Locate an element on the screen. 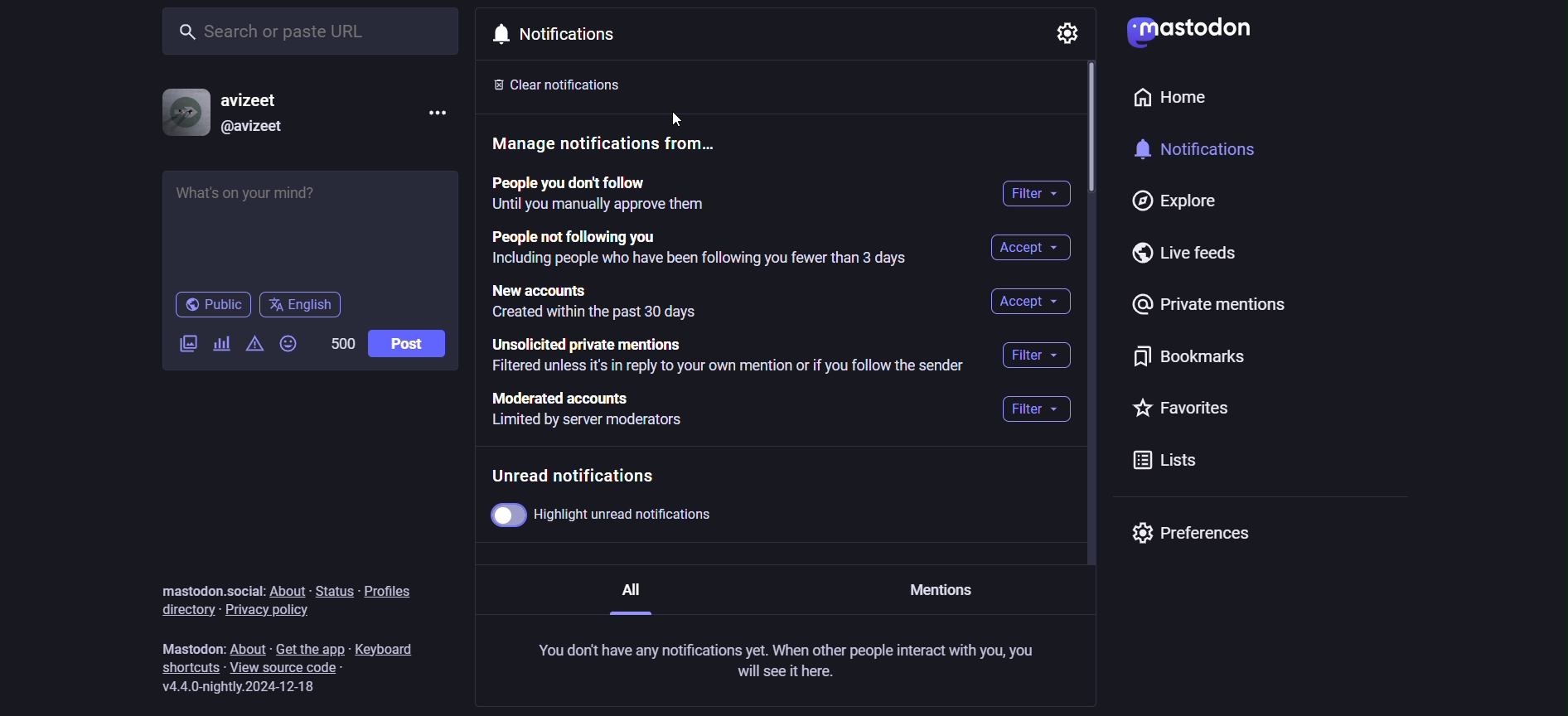 The height and width of the screenshot is (716, 1568). whats on your mind is located at coordinates (312, 226).